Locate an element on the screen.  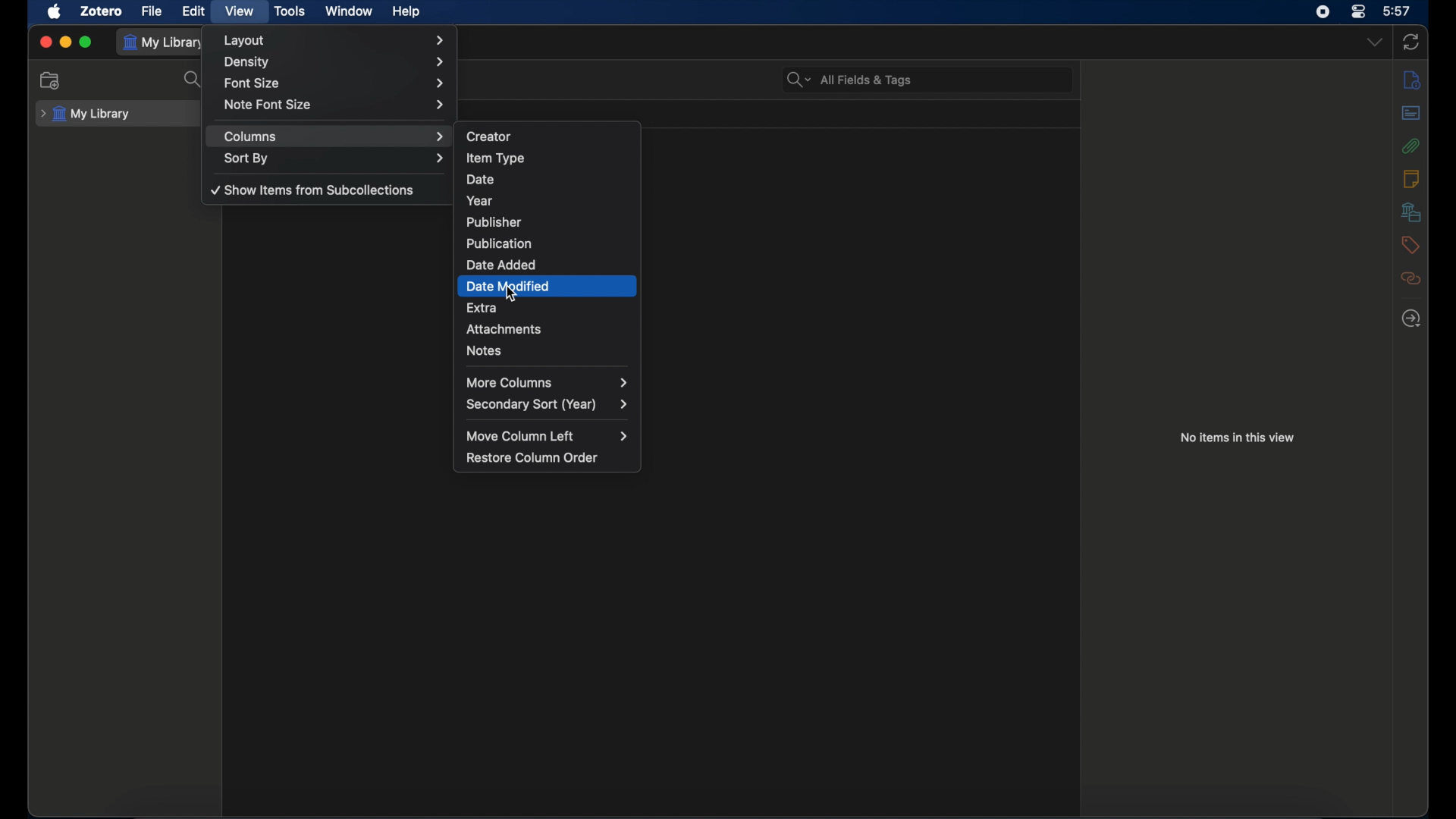
density is located at coordinates (335, 63).